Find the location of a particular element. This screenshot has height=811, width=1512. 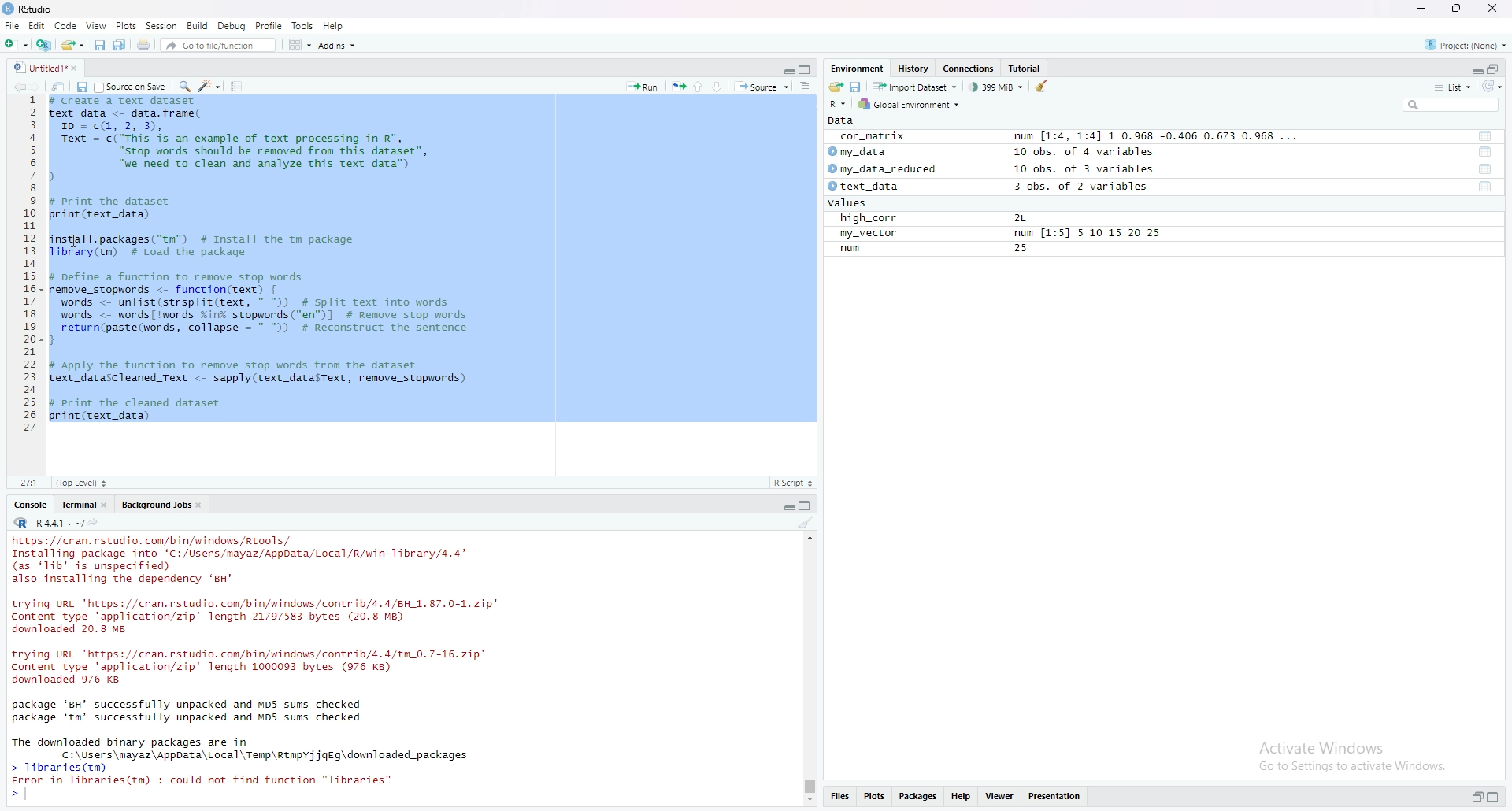

maximize is located at coordinates (1454, 8).